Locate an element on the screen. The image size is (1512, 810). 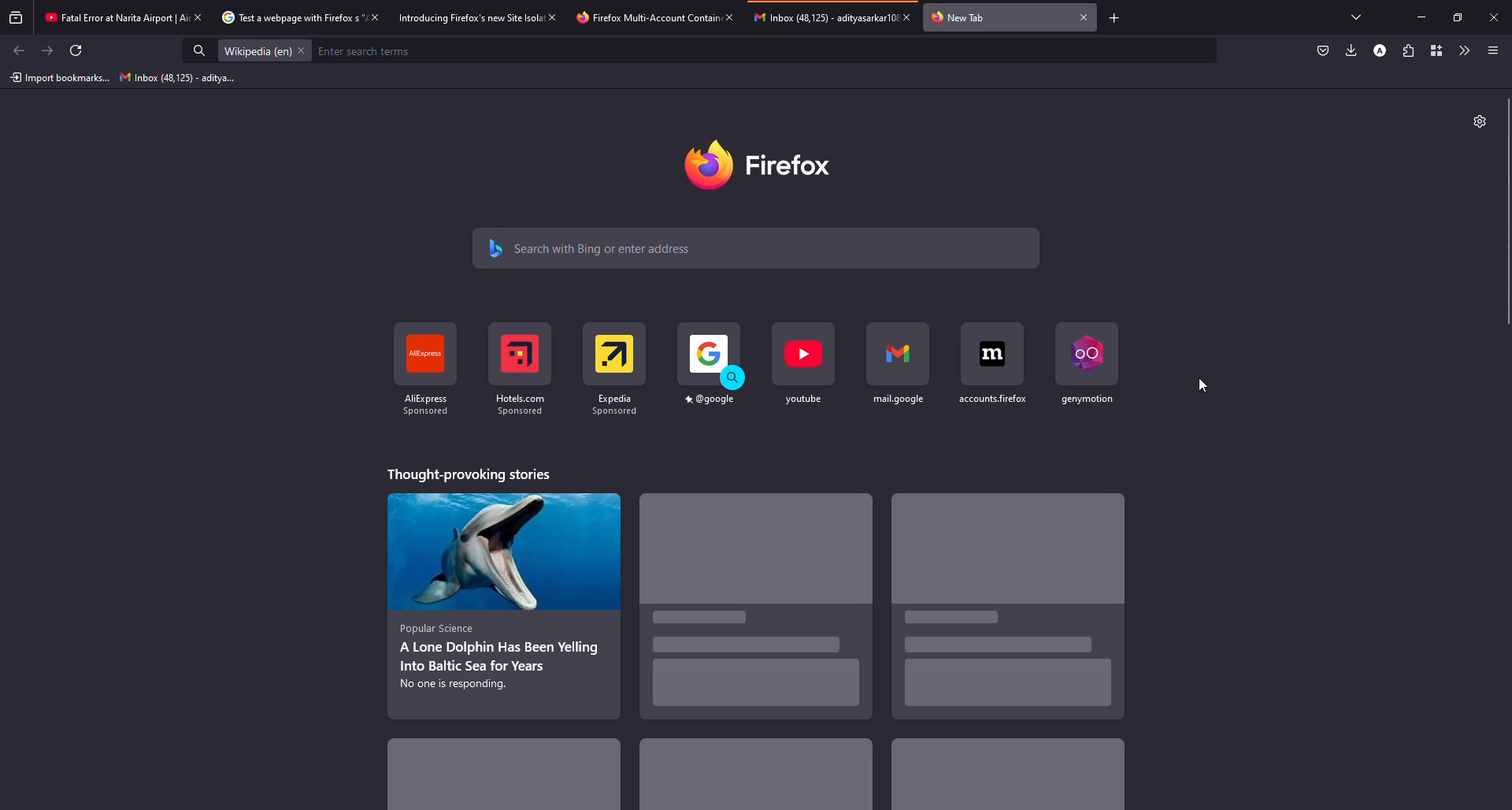
menu is located at coordinates (1493, 50).